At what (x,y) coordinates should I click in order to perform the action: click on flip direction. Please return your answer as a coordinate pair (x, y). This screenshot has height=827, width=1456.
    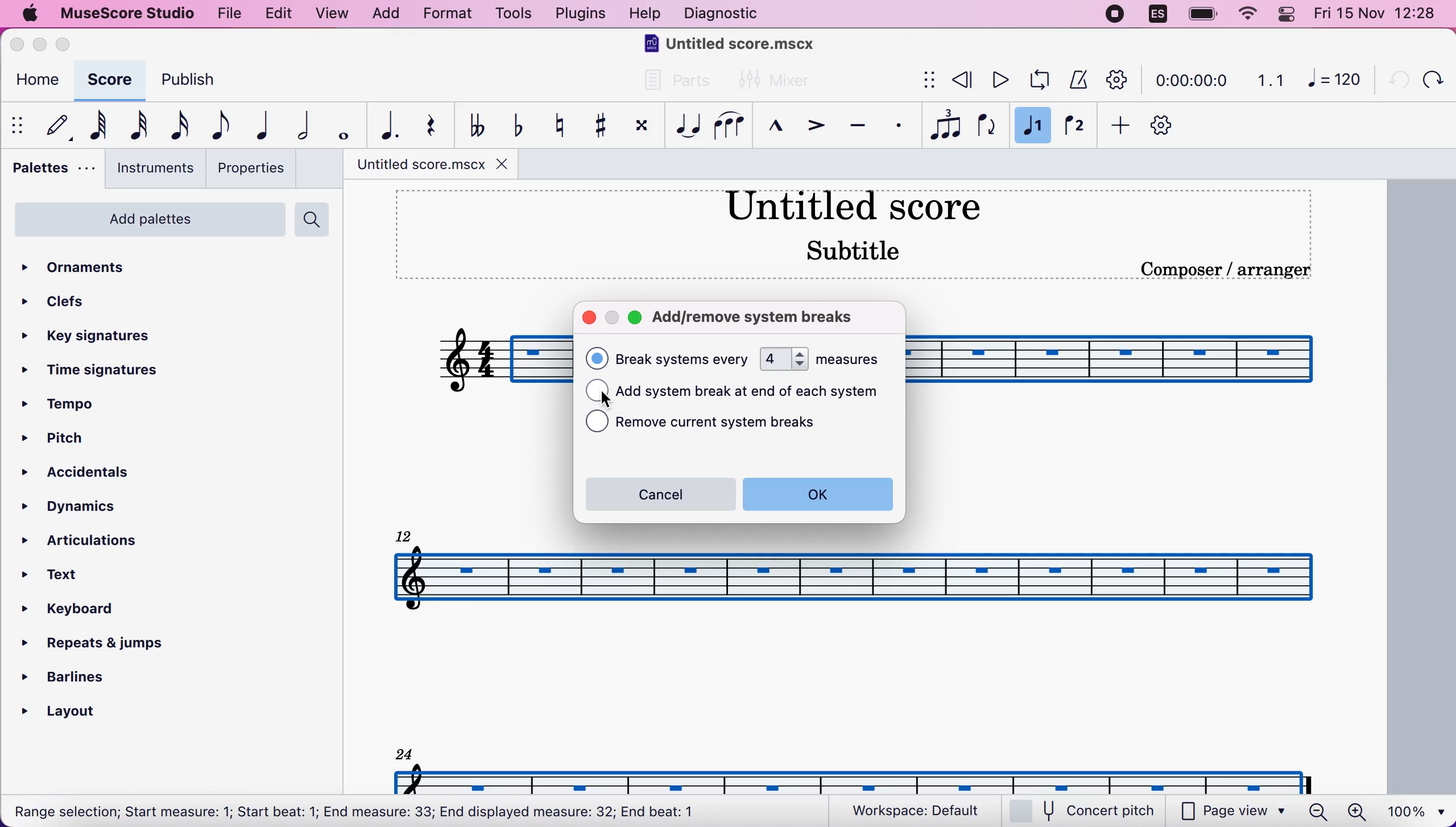
    Looking at the image, I should click on (988, 126).